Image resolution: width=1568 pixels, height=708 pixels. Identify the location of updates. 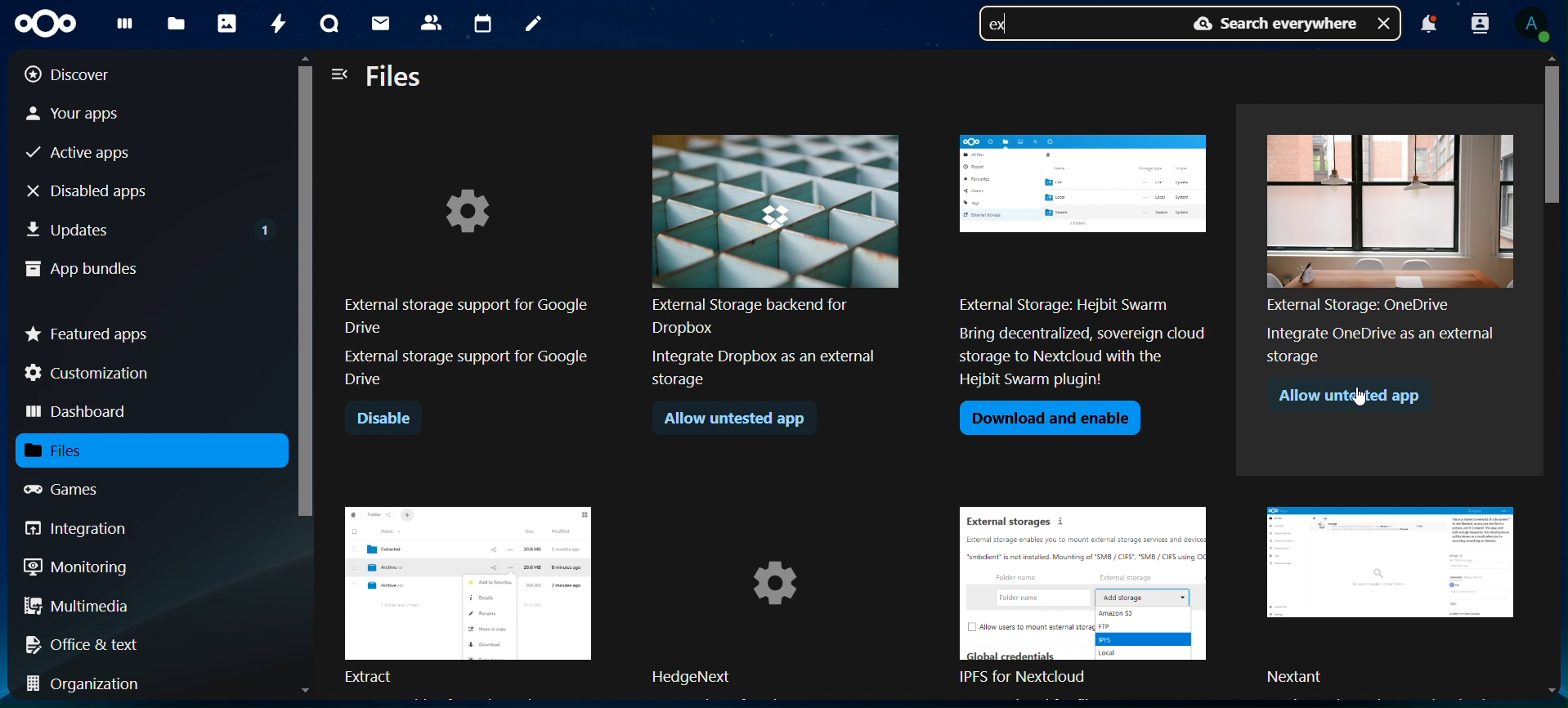
(150, 226).